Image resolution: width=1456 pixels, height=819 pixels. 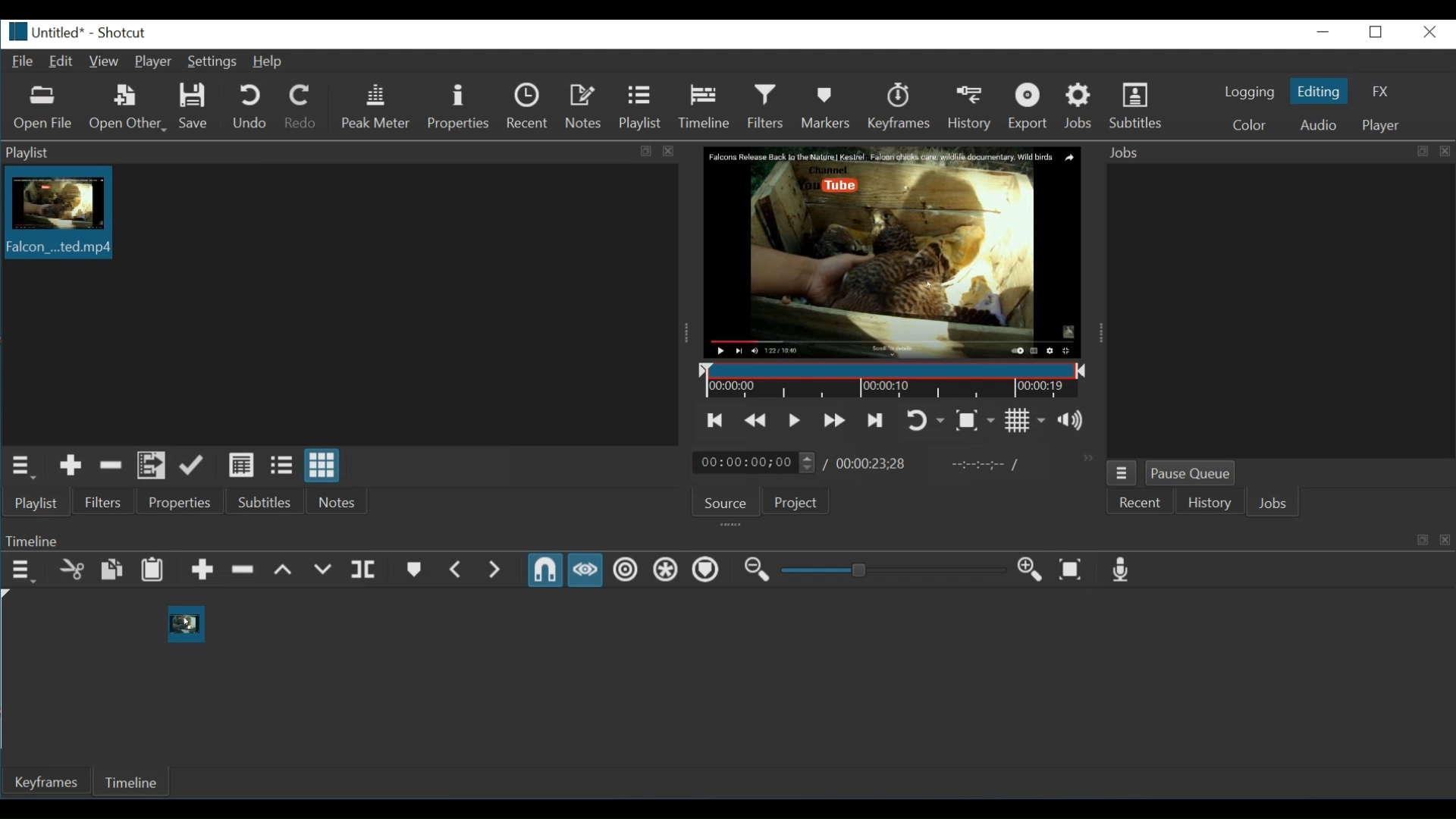 I want to click on play quickly backwards, so click(x=753, y=422).